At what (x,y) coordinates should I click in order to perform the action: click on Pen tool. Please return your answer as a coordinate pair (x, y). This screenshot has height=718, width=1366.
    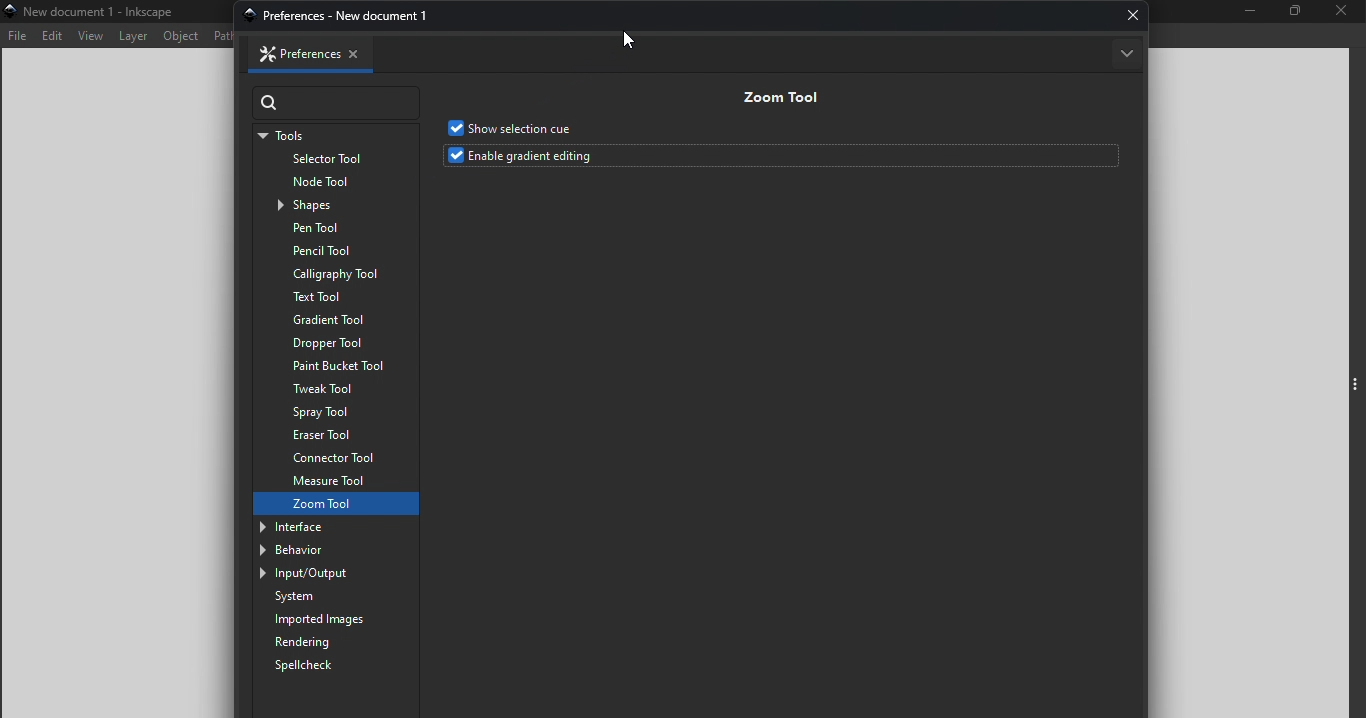
    Looking at the image, I should click on (306, 225).